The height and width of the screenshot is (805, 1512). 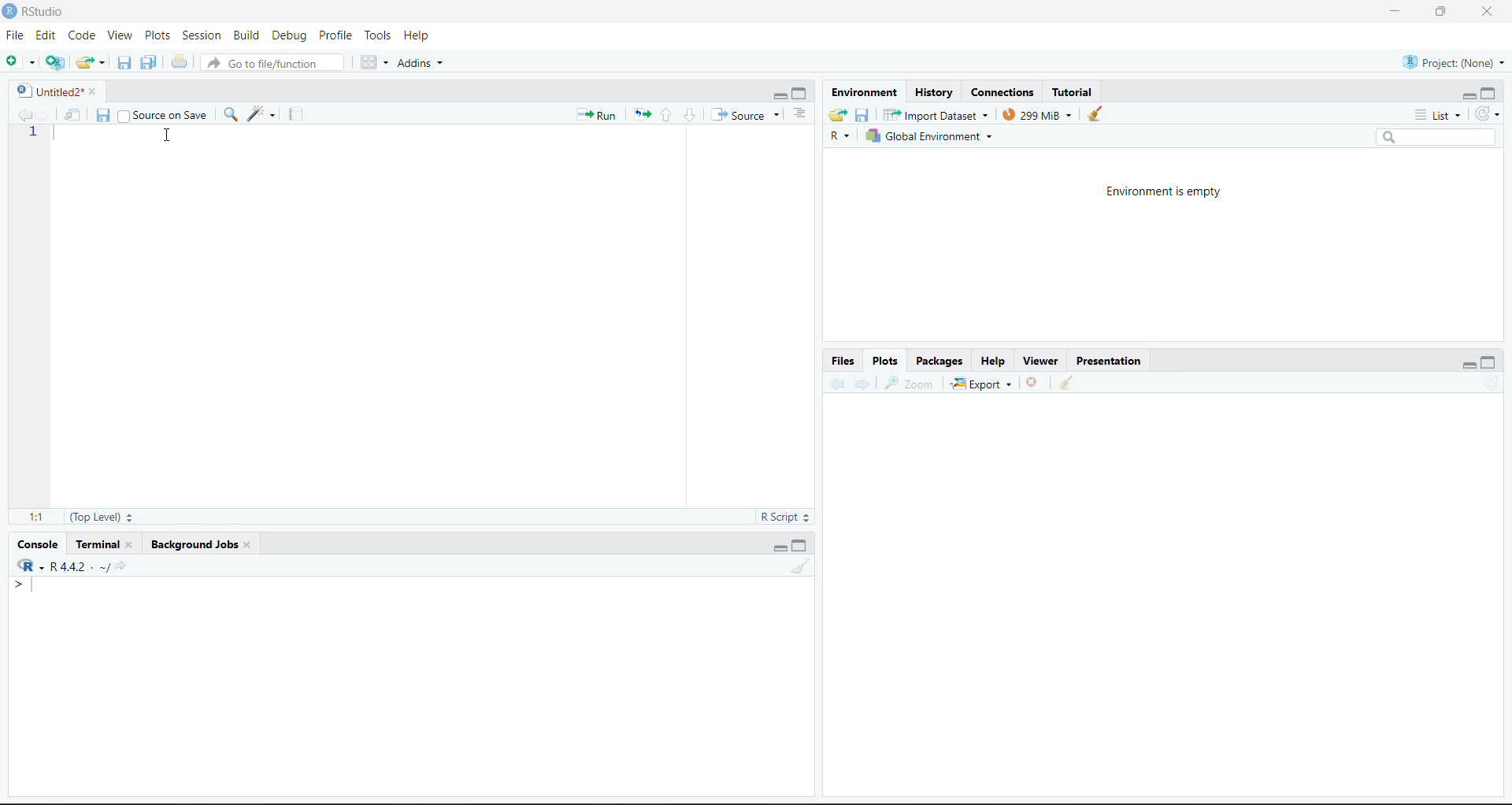 What do you see at coordinates (839, 136) in the screenshot?
I see `R` at bounding box center [839, 136].